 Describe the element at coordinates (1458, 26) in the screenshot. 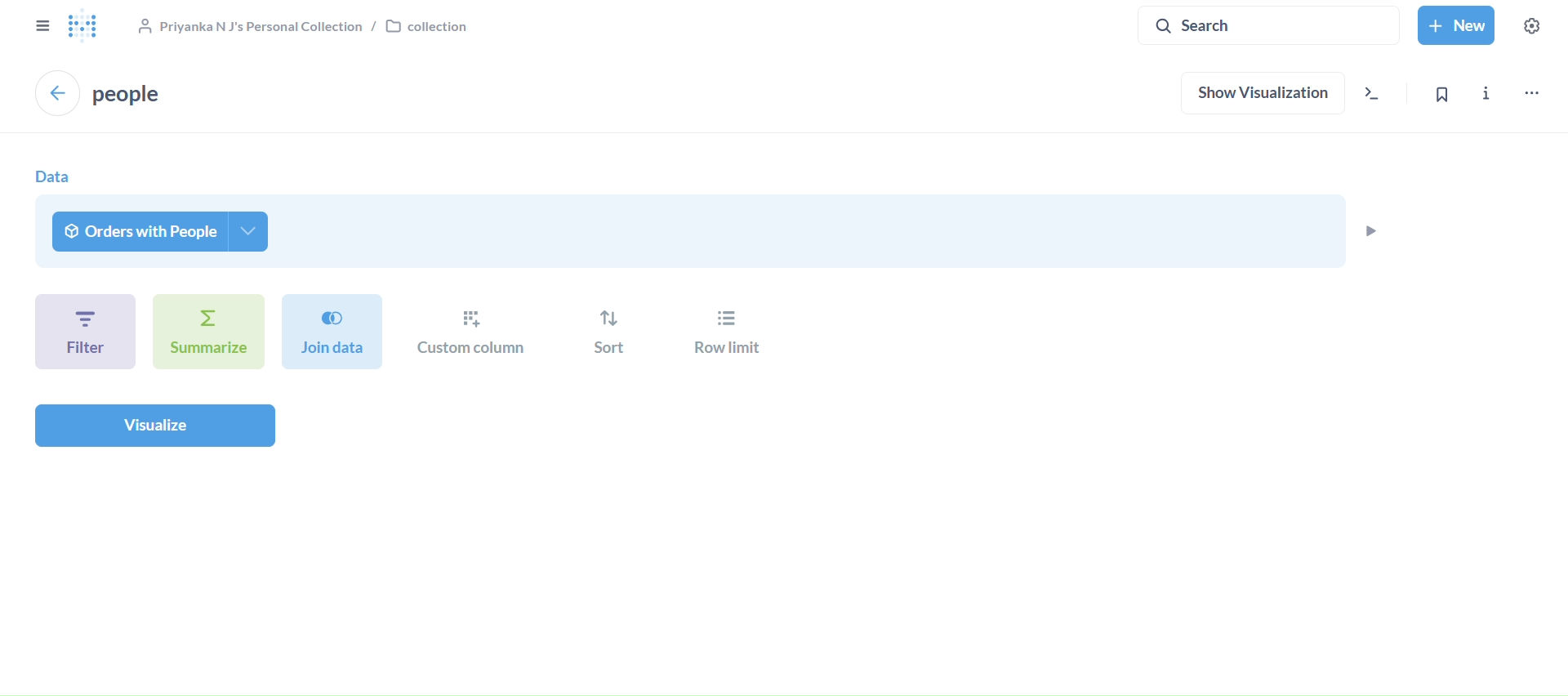

I see `new` at that location.